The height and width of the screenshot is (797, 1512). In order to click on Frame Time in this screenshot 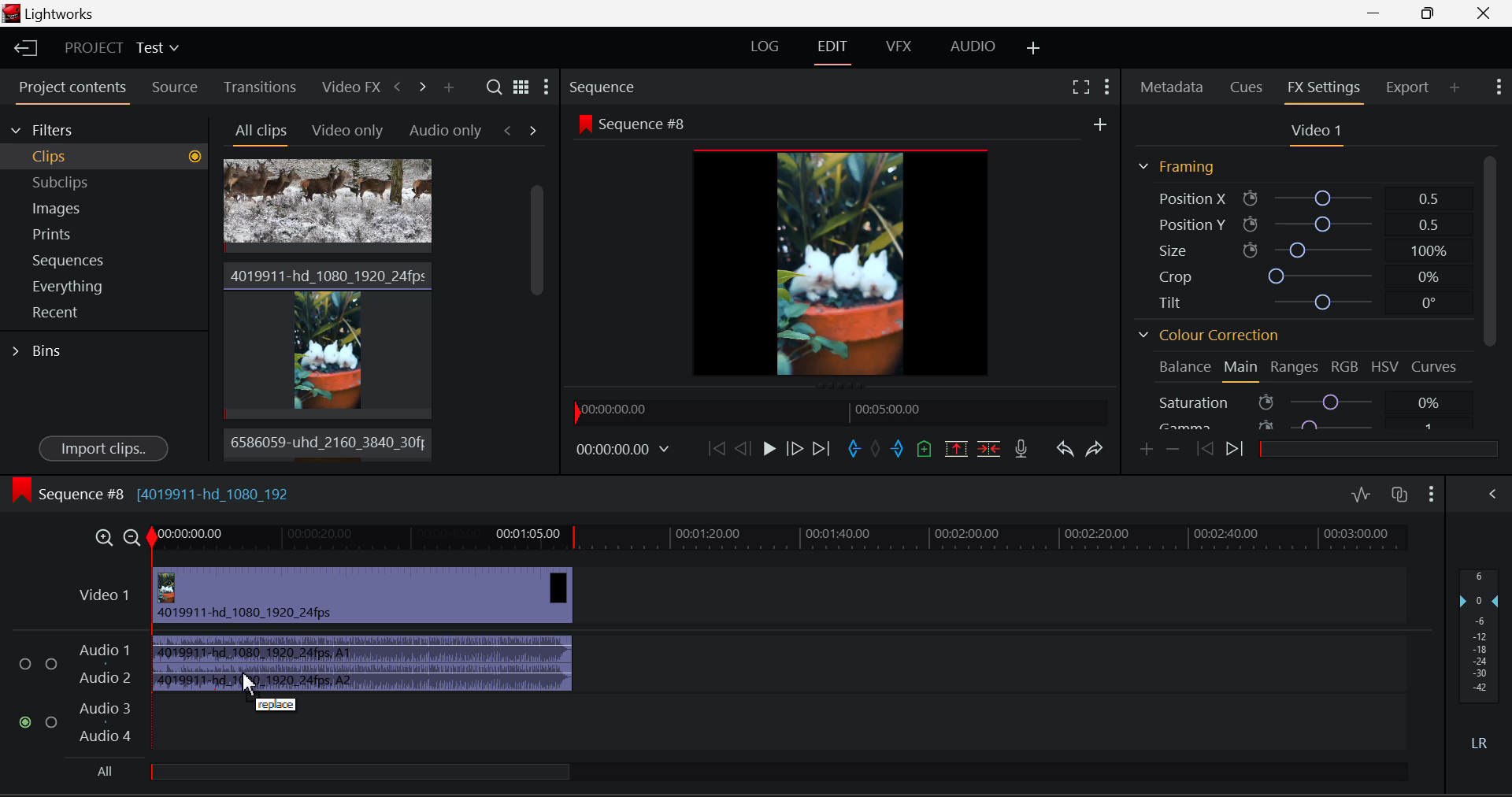, I will do `click(629, 451)`.